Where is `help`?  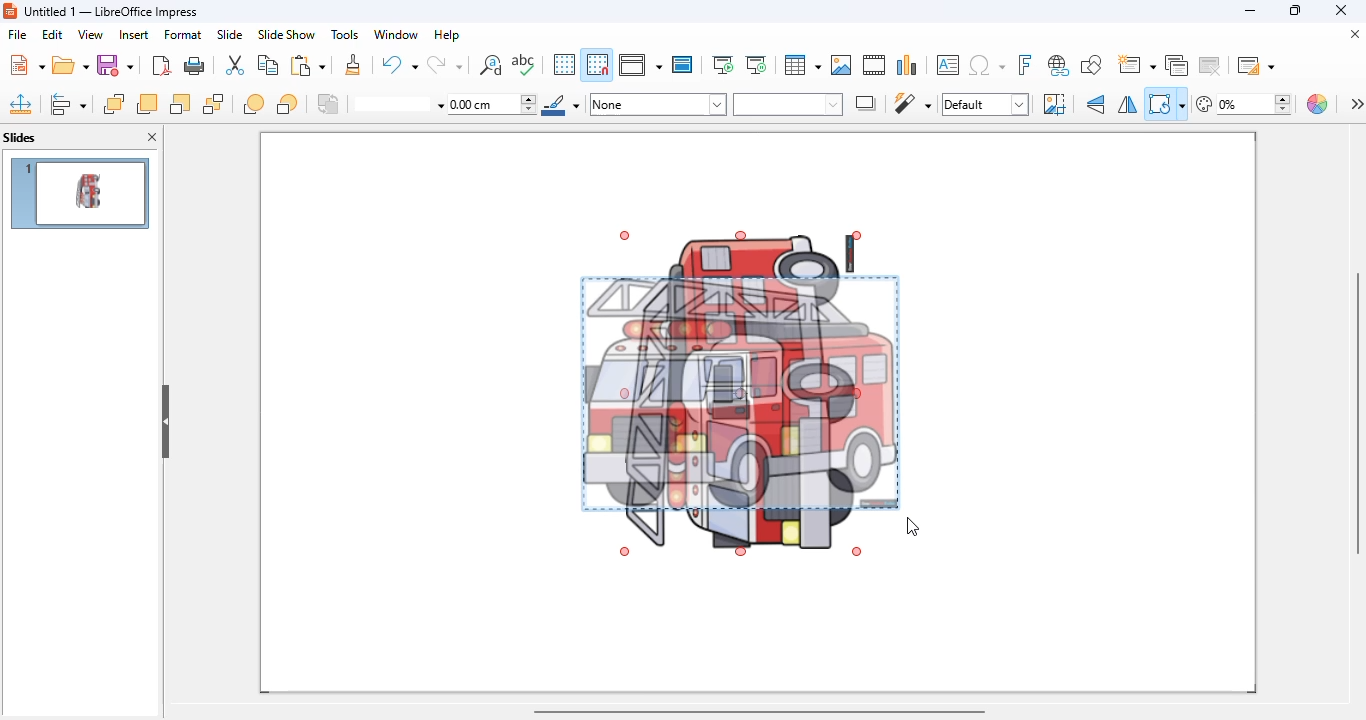 help is located at coordinates (447, 34).